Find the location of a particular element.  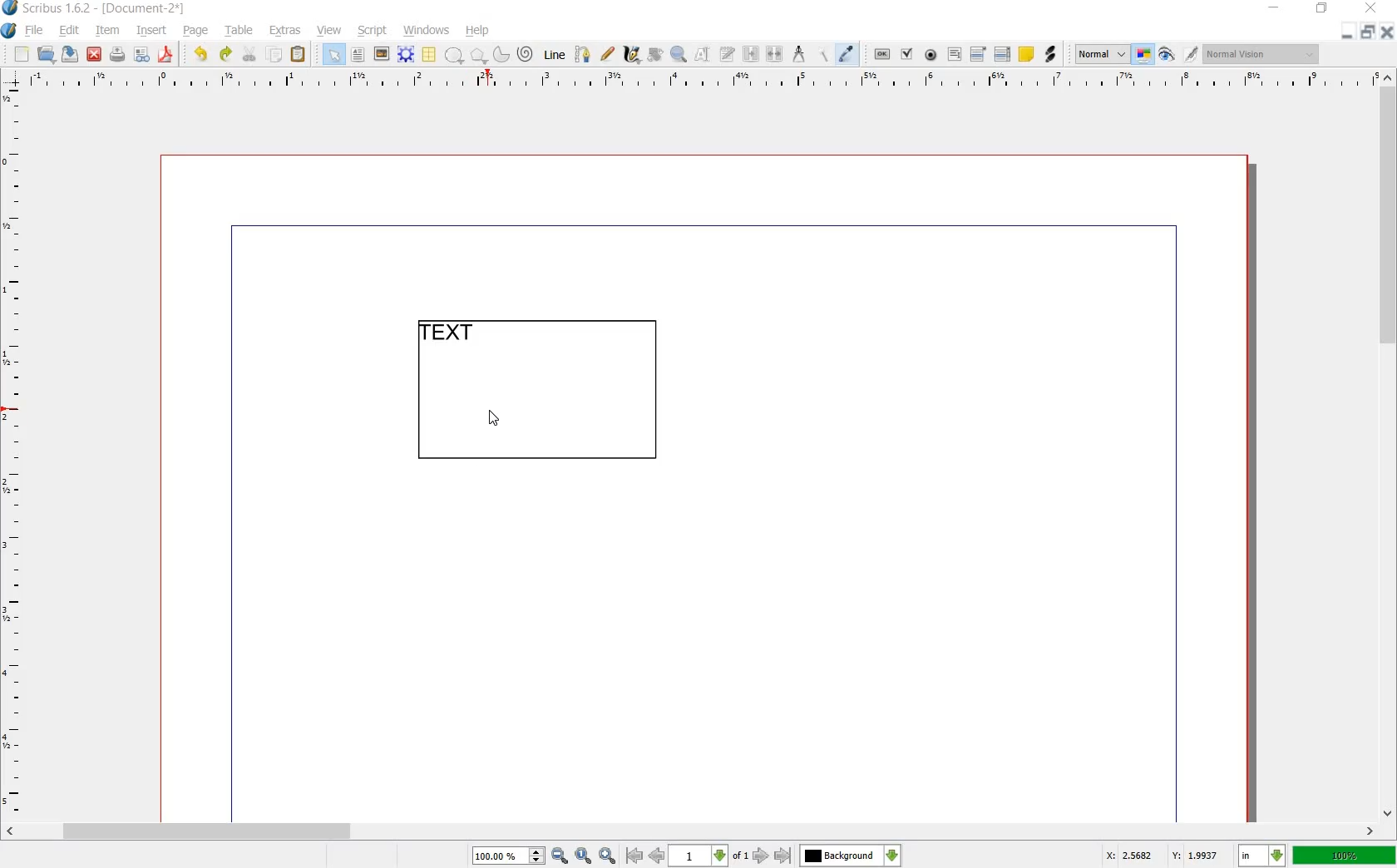

scroll bar is located at coordinates (1389, 446).